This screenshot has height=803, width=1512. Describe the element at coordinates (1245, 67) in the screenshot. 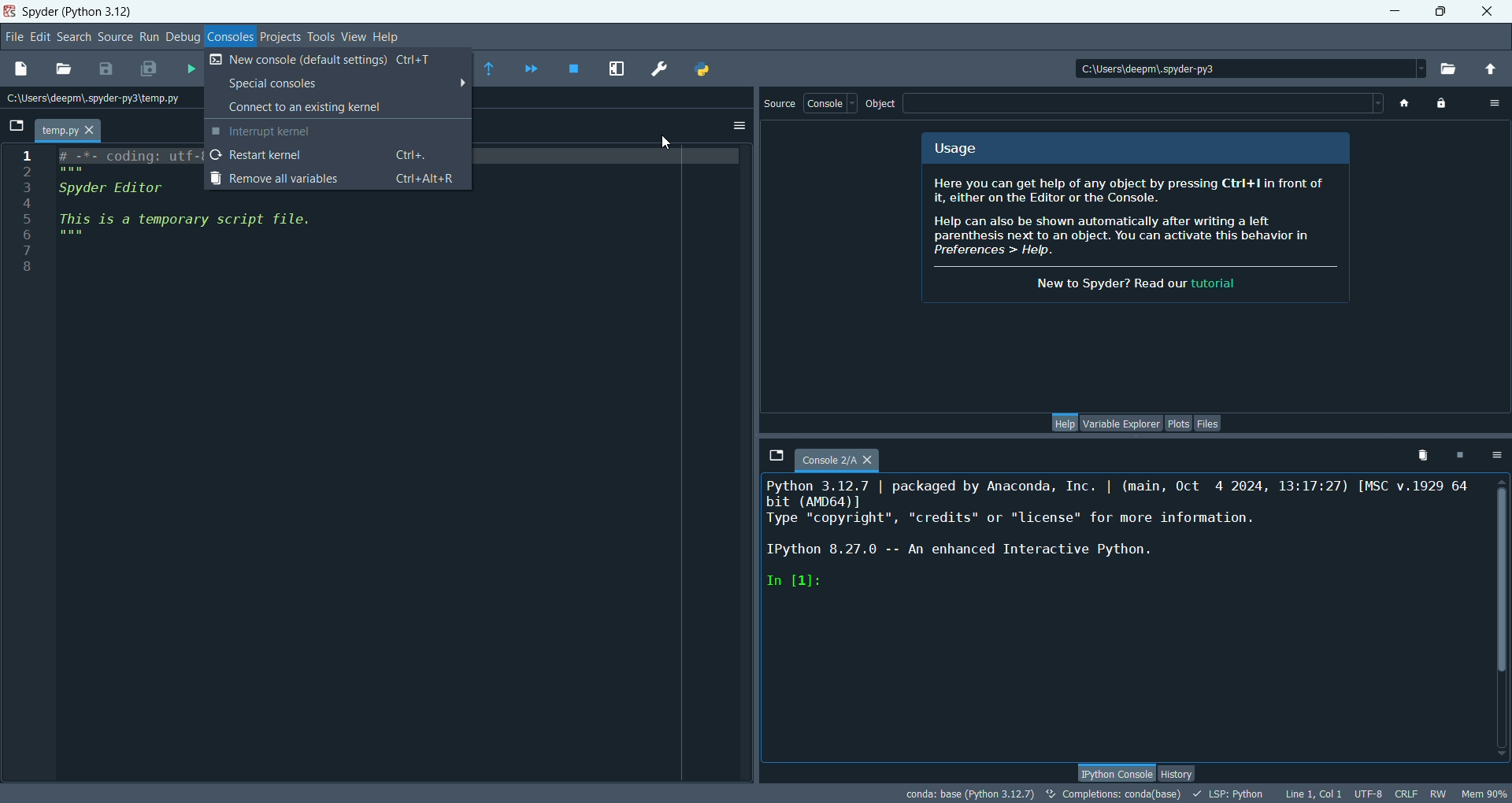

I see `location` at that location.